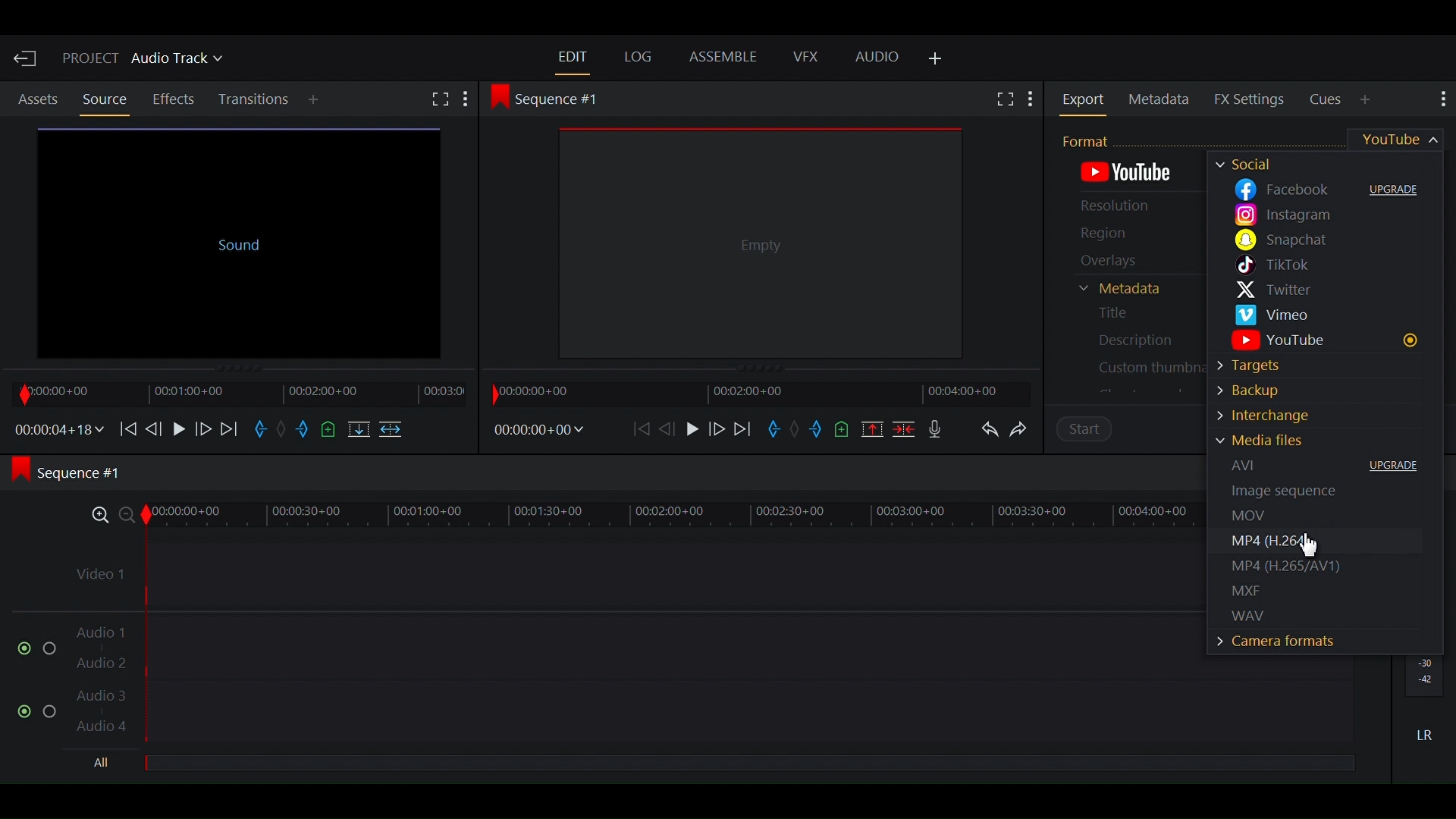 Image resolution: width=1456 pixels, height=819 pixels. Describe the element at coordinates (1328, 293) in the screenshot. I see `Twitter` at that location.